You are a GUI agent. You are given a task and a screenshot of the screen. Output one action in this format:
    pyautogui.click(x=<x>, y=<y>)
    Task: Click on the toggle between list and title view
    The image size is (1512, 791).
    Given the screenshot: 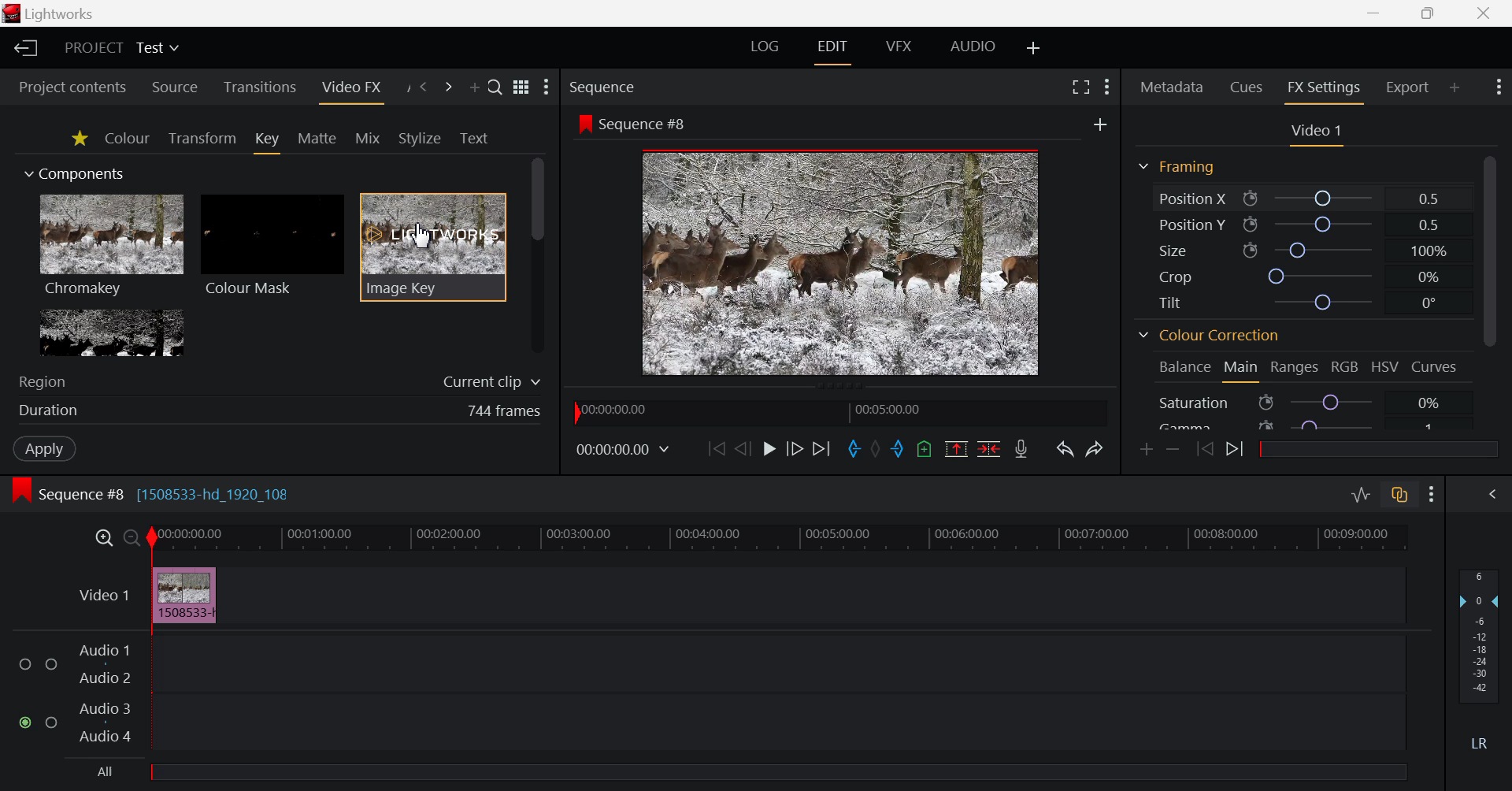 What is the action you would take?
    pyautogui.click(x=521, y=85)
    